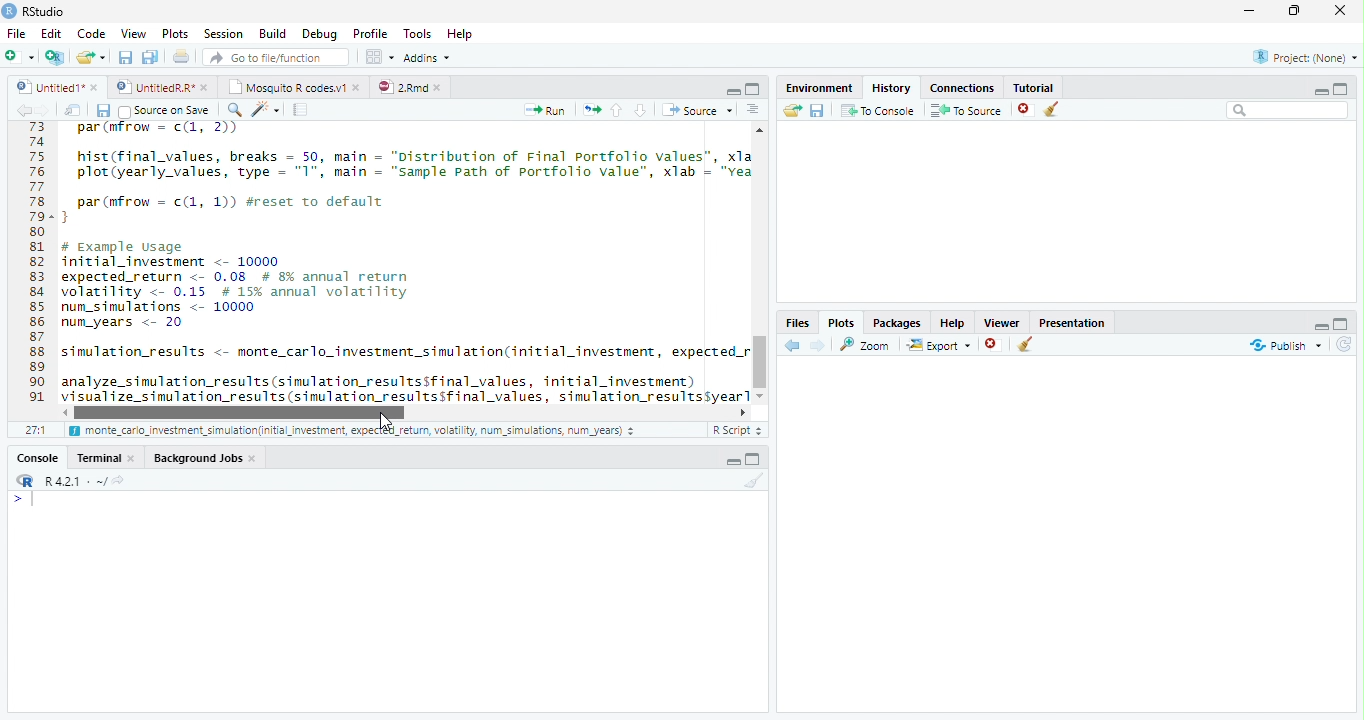 This screenshot has height=720, width=1364. Describe the element at coordinates (23, 110) in the screenshot. I see `previous source location` at that location.